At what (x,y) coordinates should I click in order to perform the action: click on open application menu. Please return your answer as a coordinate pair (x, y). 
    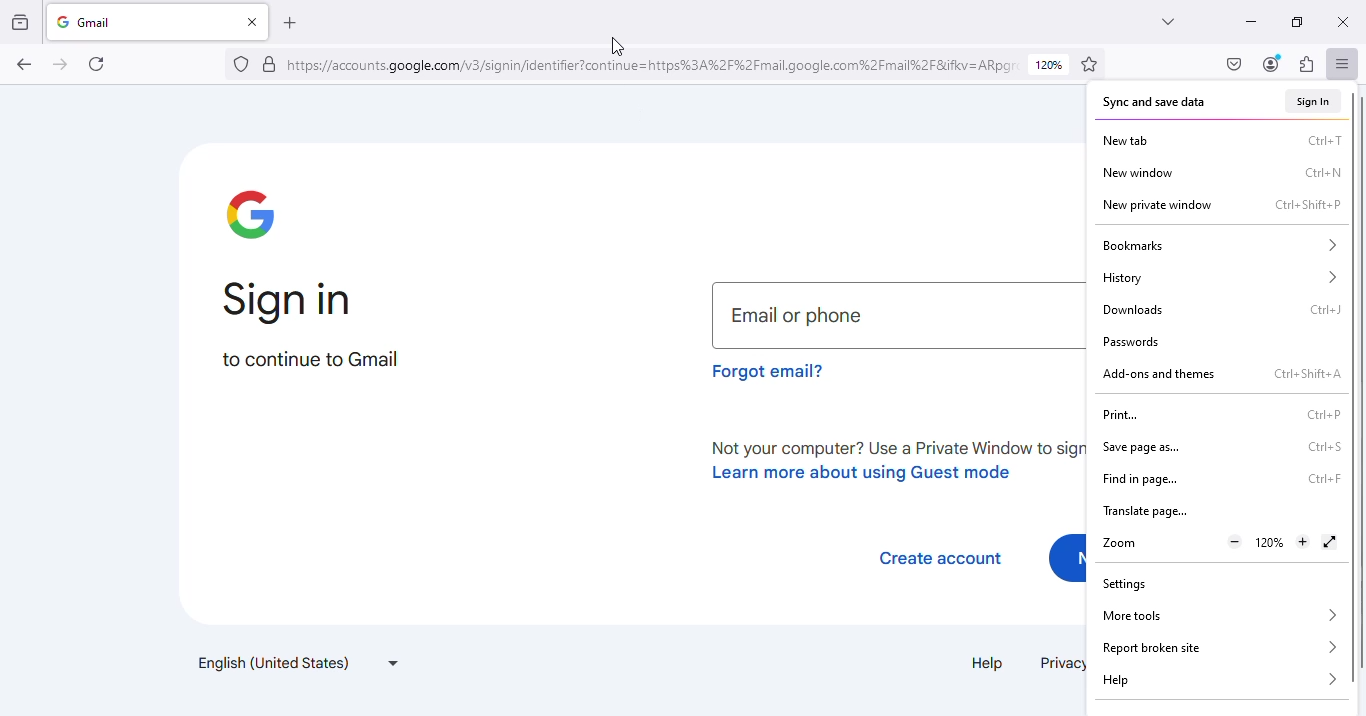
    Looking at the image, I should click on (1344, 63).